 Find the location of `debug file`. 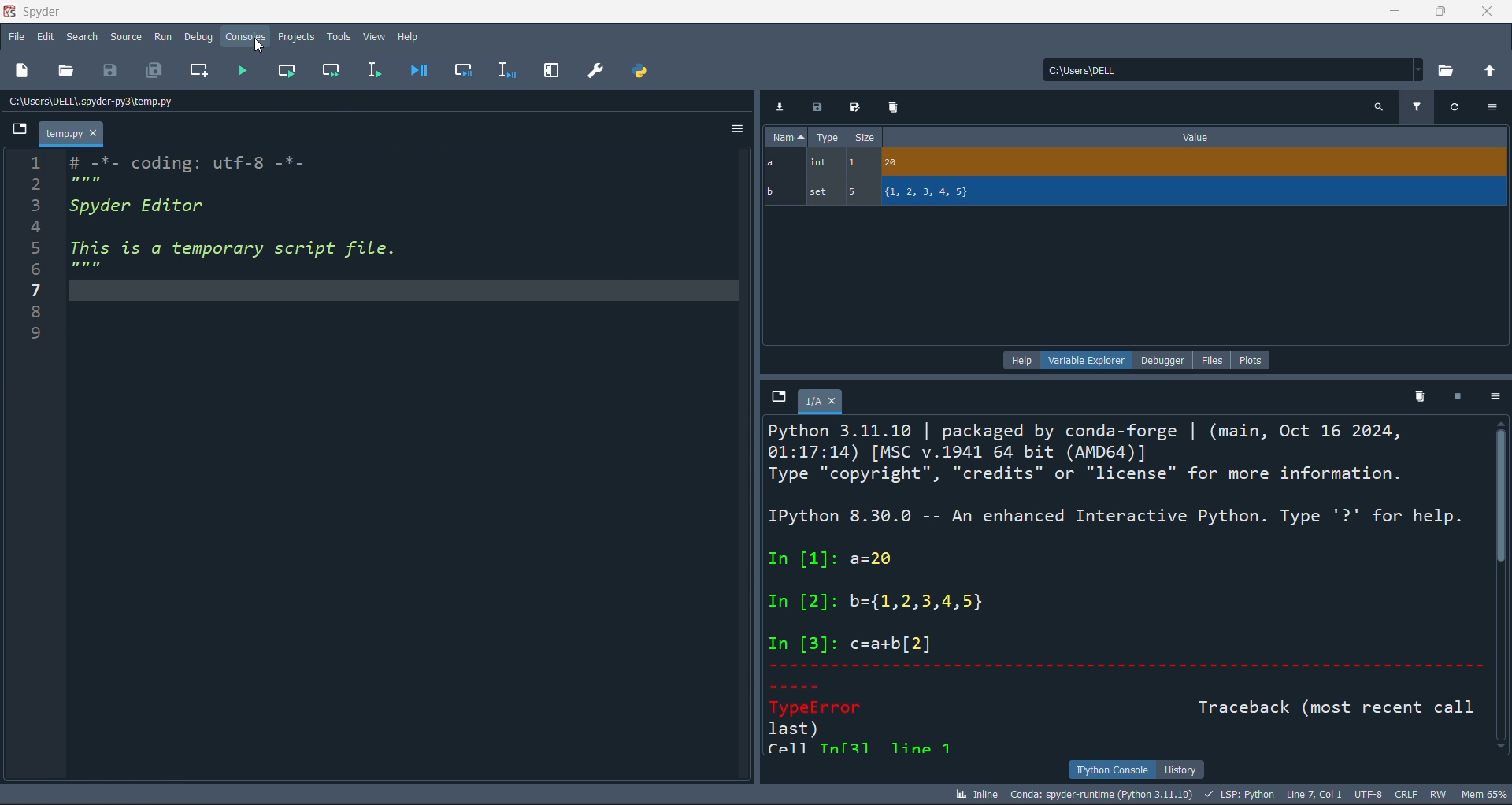

debug file is located at coordinates (421, 72).